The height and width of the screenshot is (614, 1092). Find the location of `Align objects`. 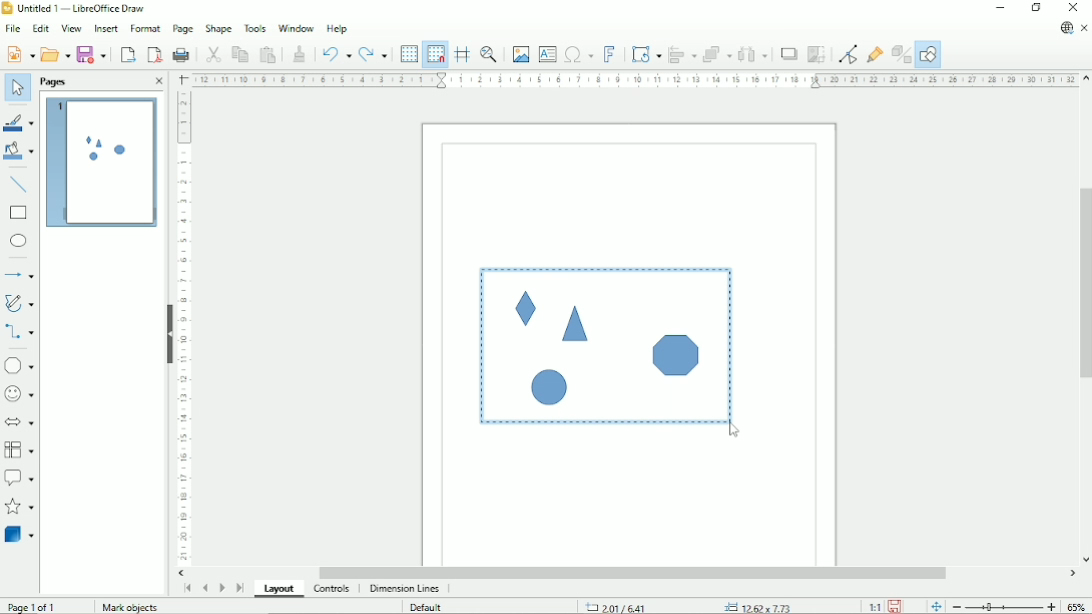

Align objects is located at coordinates (681, 54).